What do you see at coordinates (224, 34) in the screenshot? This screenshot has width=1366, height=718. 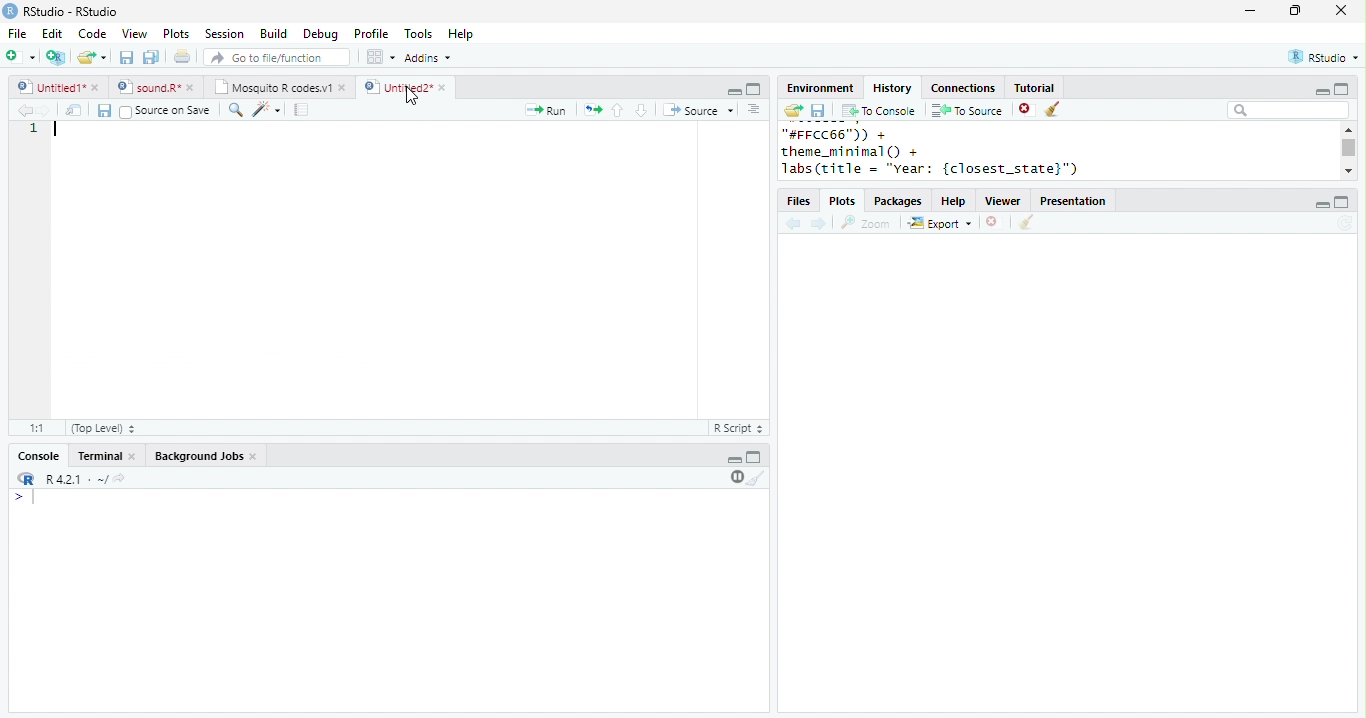 I see `Session` at bounding box center [224, 34].